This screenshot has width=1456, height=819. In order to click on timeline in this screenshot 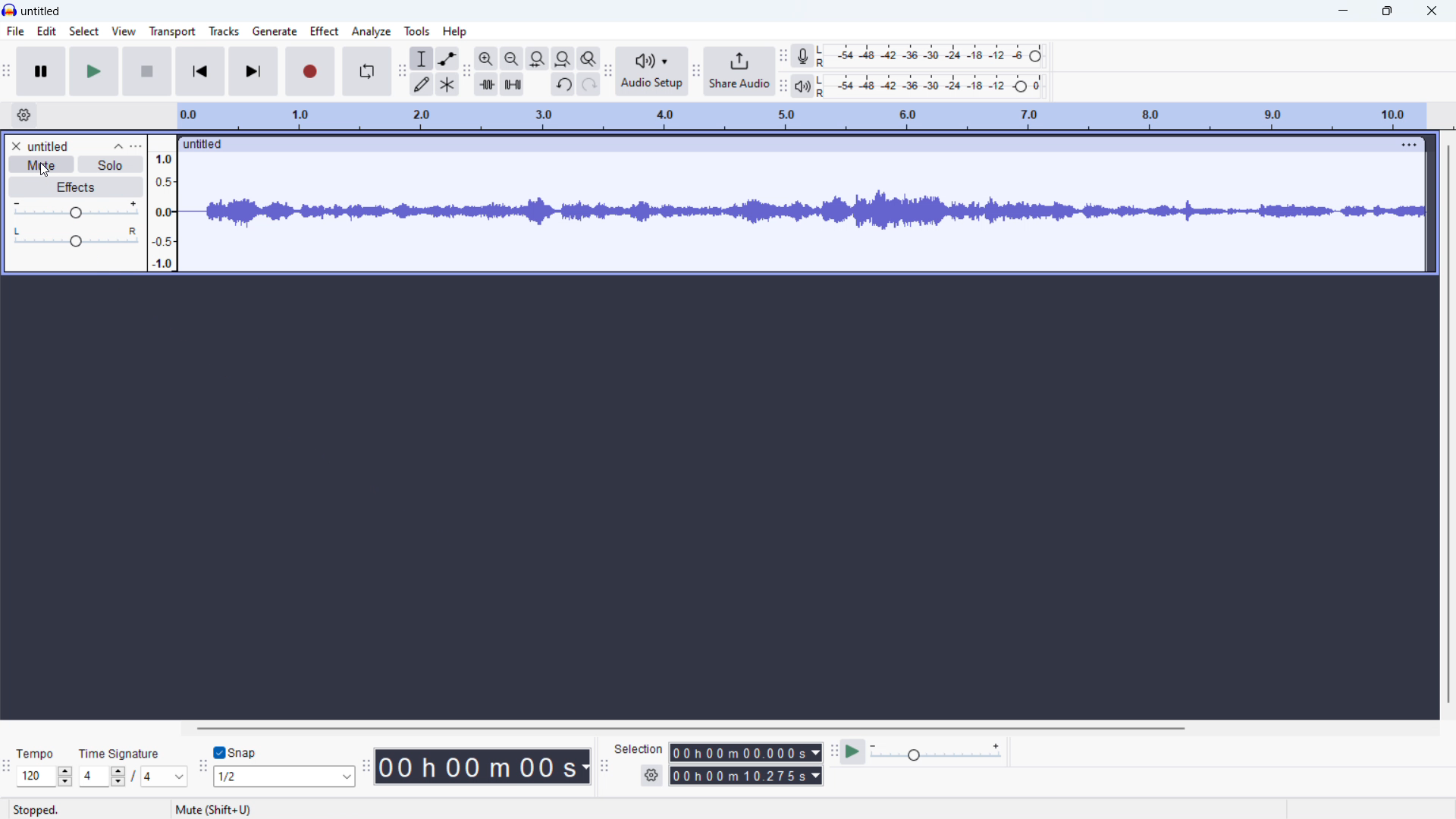, I will do `click(801, 116)`.